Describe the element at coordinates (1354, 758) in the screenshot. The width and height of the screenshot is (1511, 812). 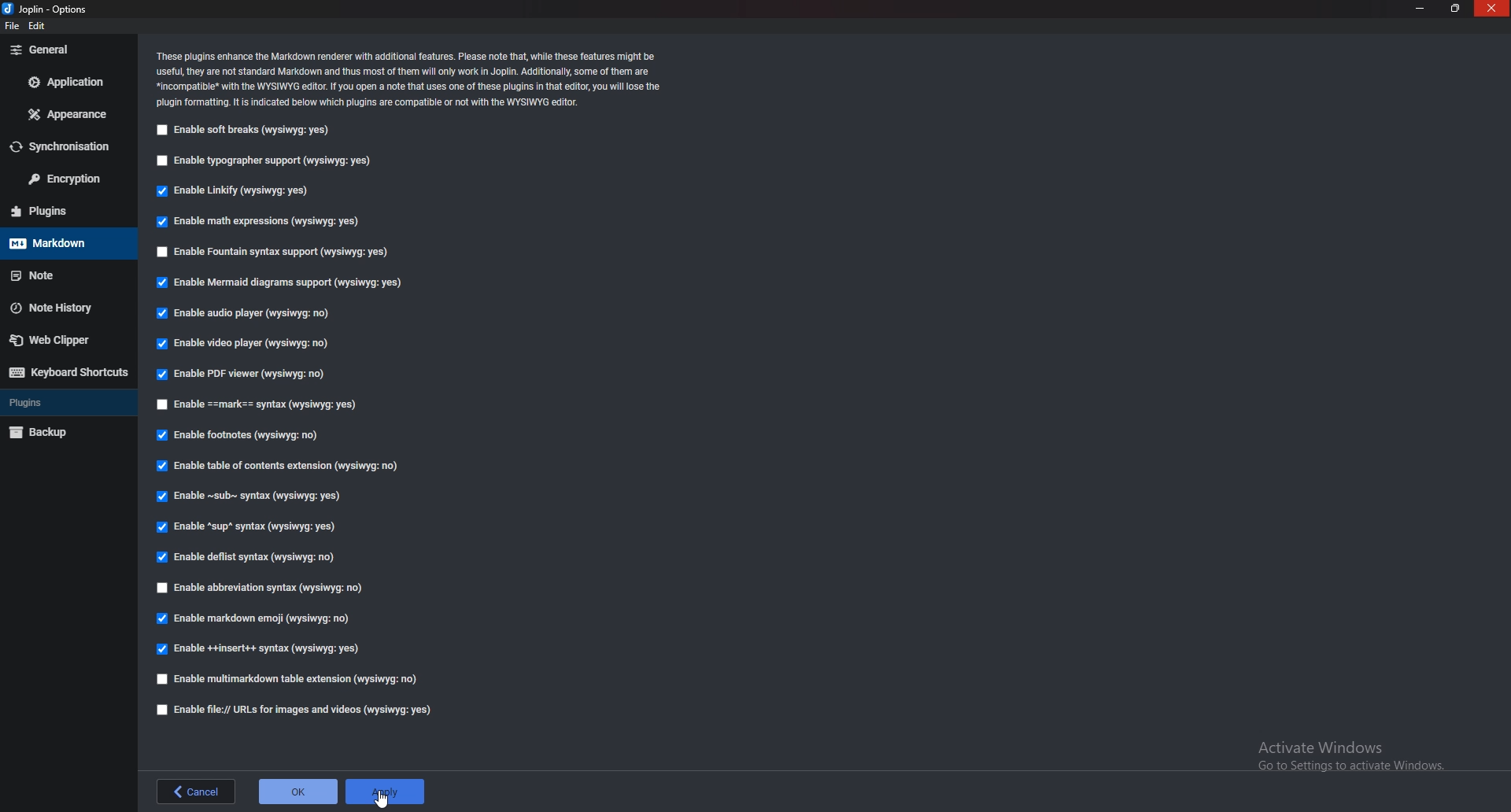
I see `activate windows message` at that location.